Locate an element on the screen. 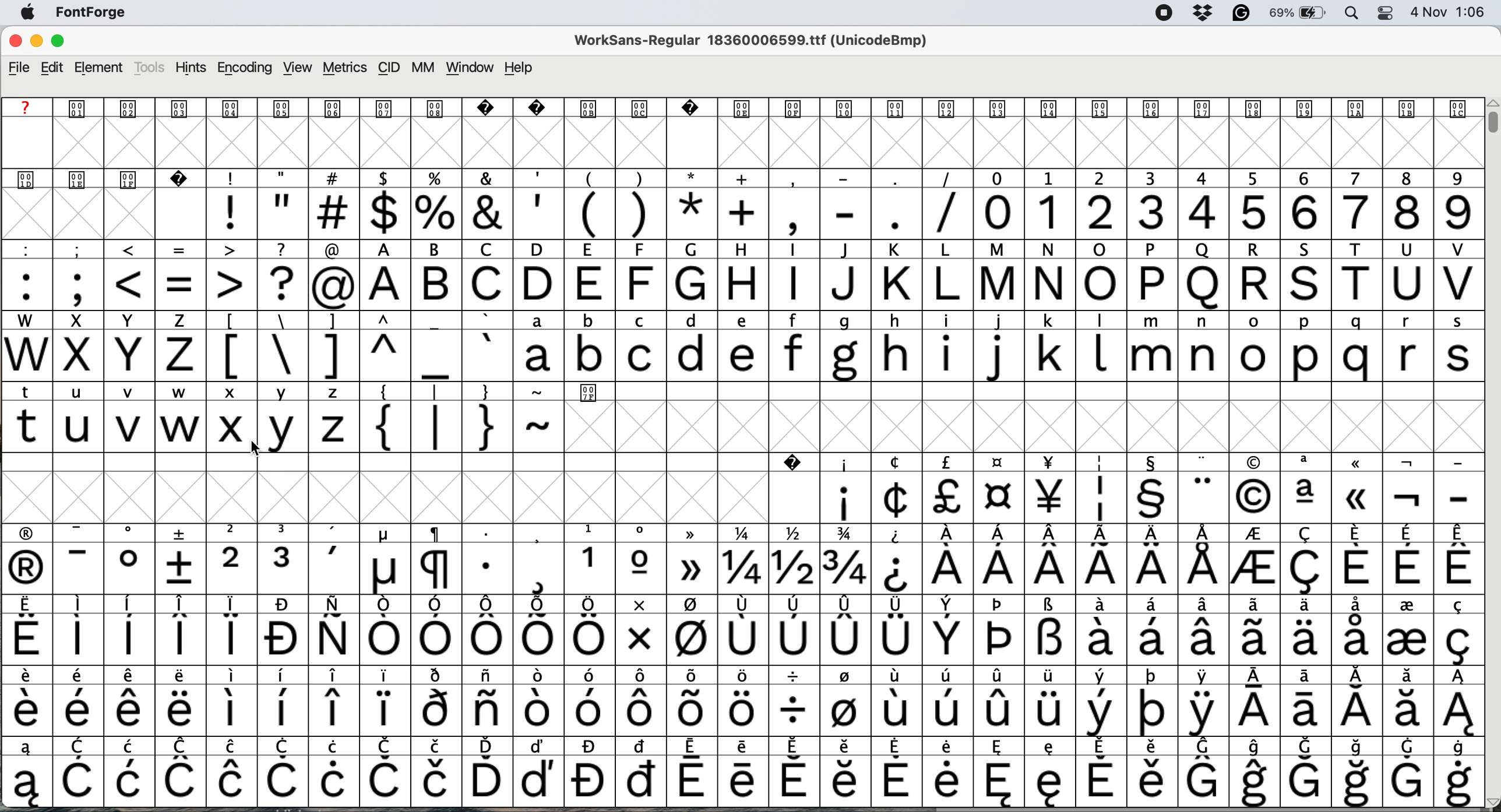  special characters is located at coordinates (740, 606).